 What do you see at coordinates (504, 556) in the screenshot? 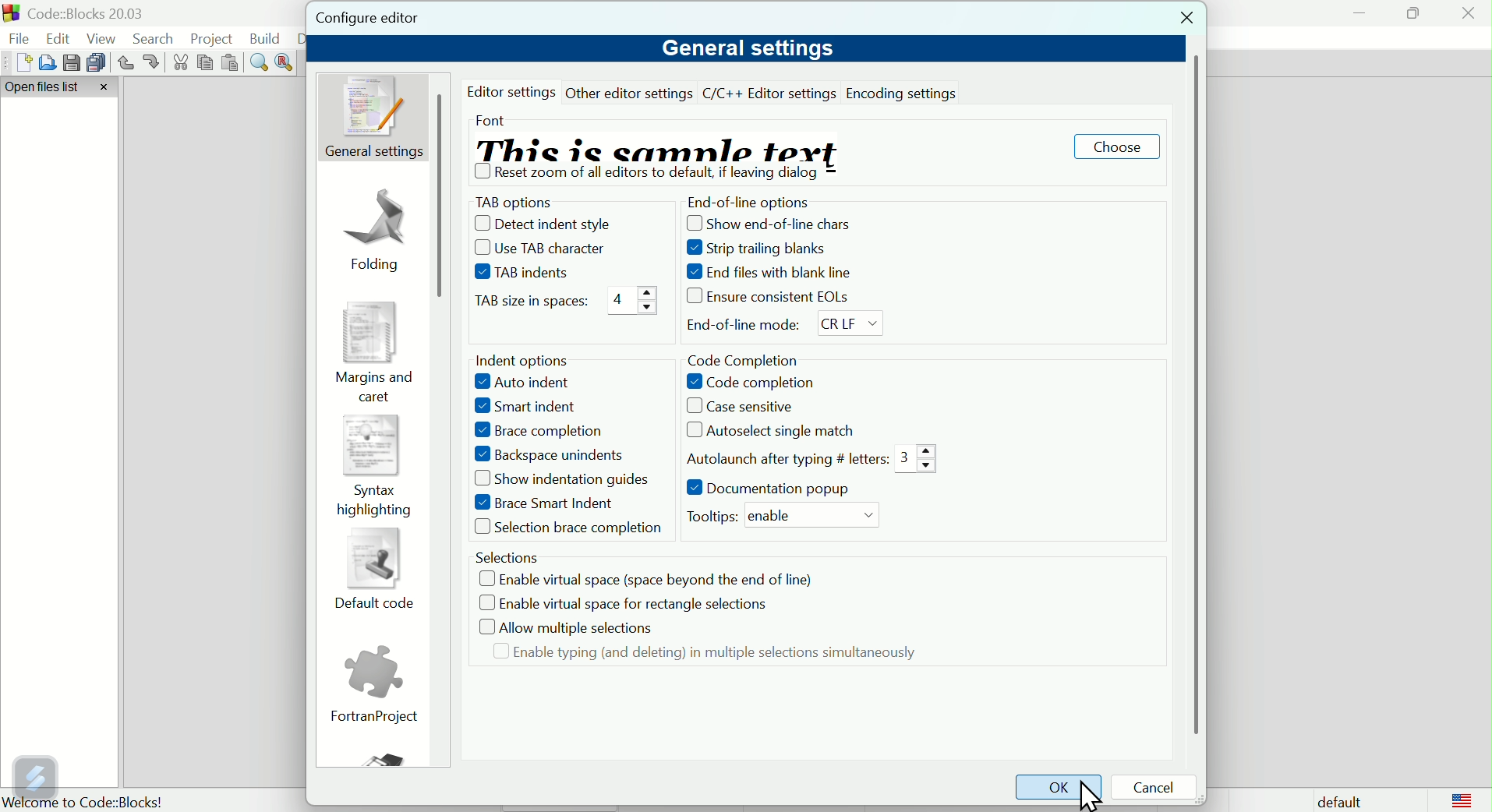
I see `Selections` at bounding box center [504, 556].